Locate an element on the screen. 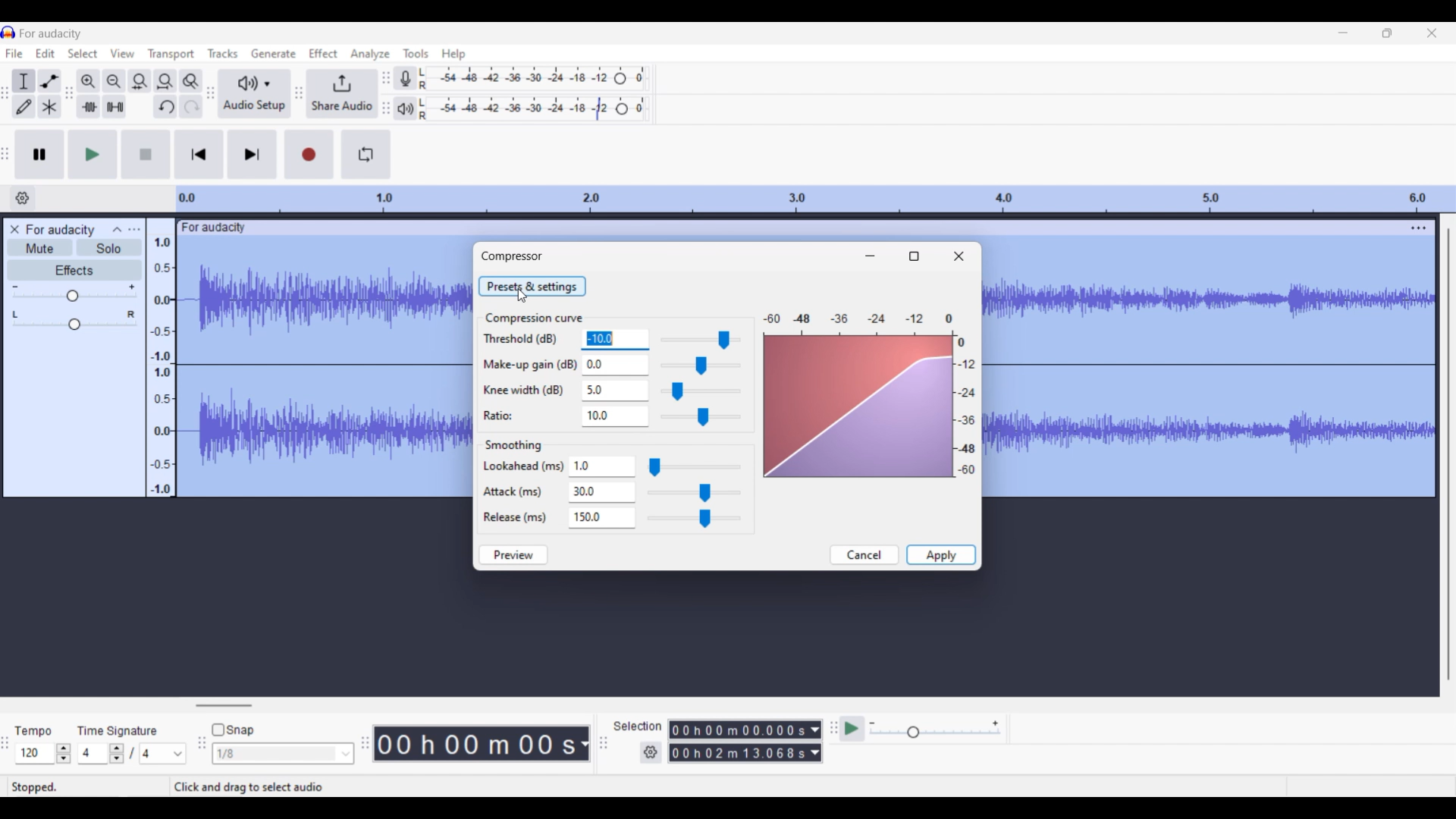 This screenshot has height=819, width=1456. Smoothing is located at coordinates (519, 445).